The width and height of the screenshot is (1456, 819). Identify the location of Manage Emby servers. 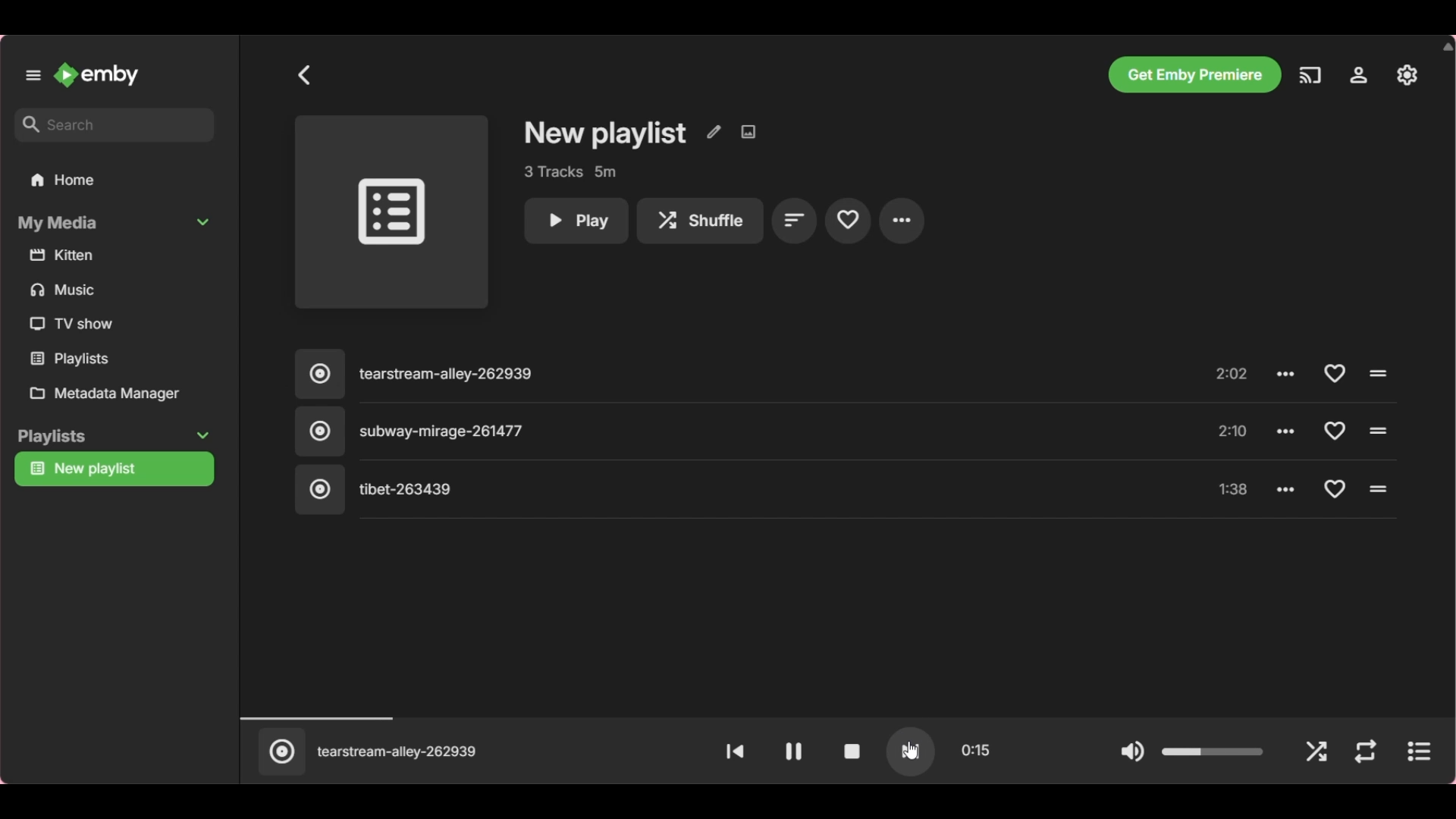
(1357, 74).